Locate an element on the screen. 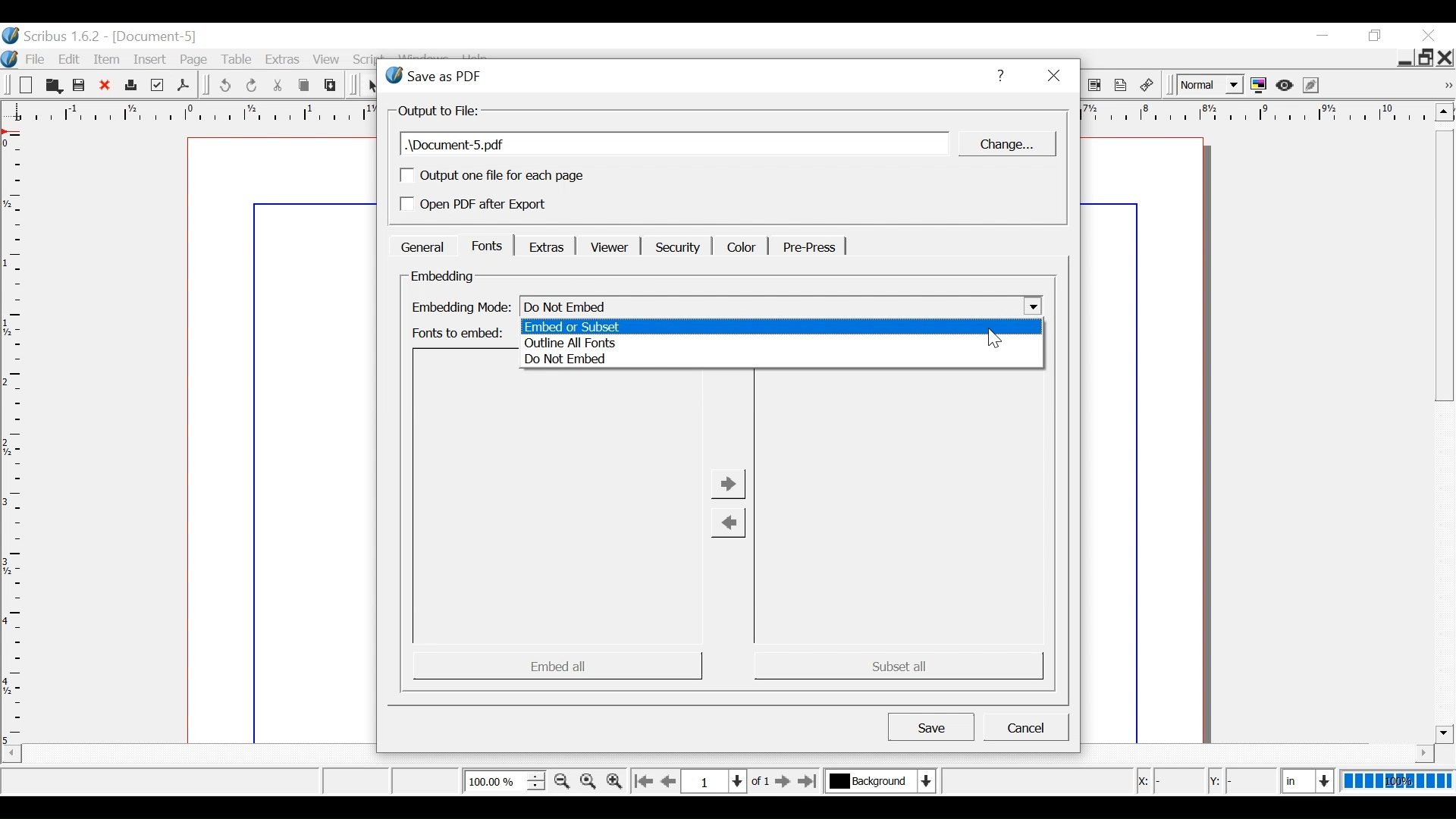  Undo is located at coordinates (224, 86).